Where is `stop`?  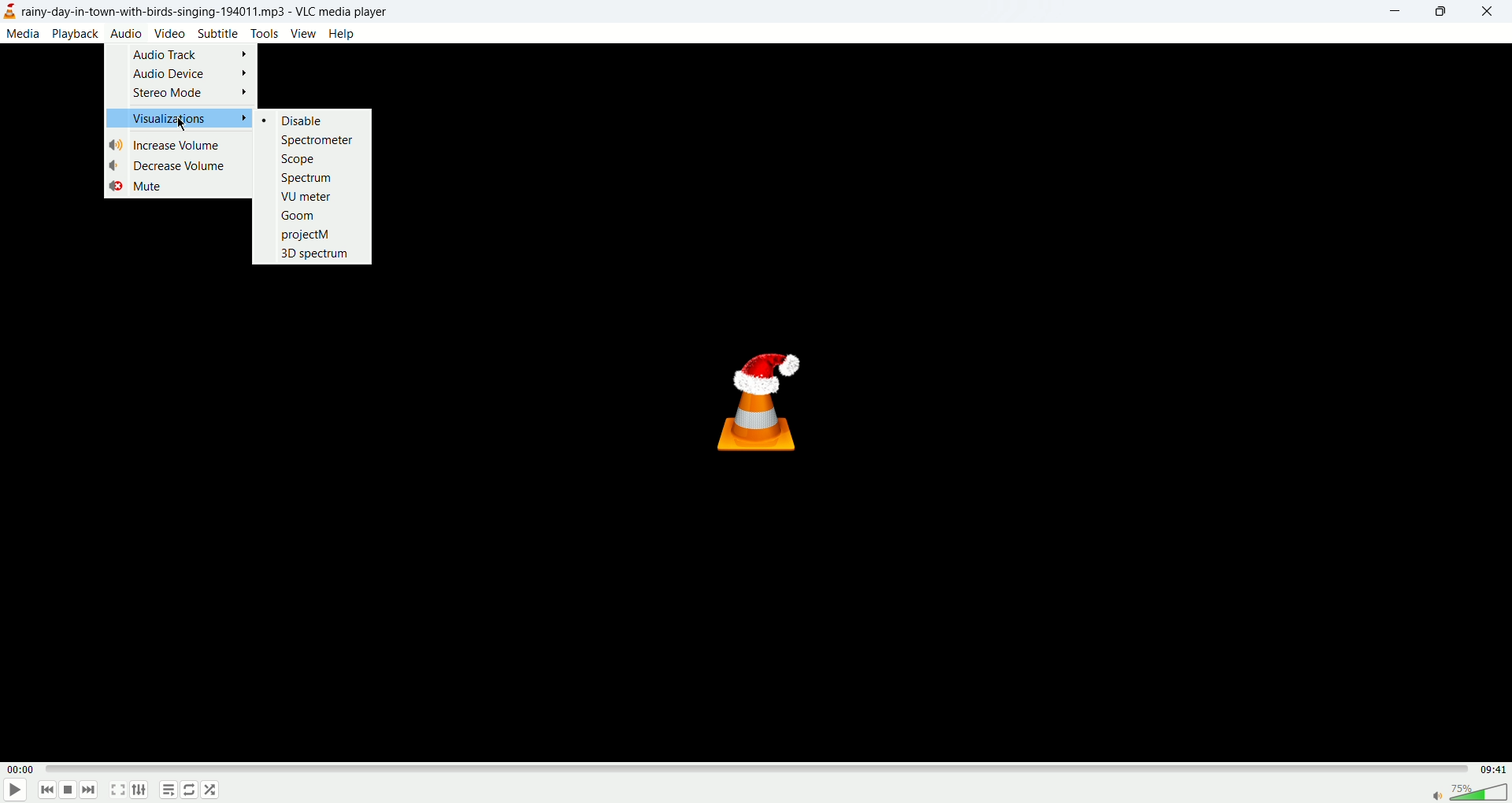 stop is located at coordinates (69, 790).